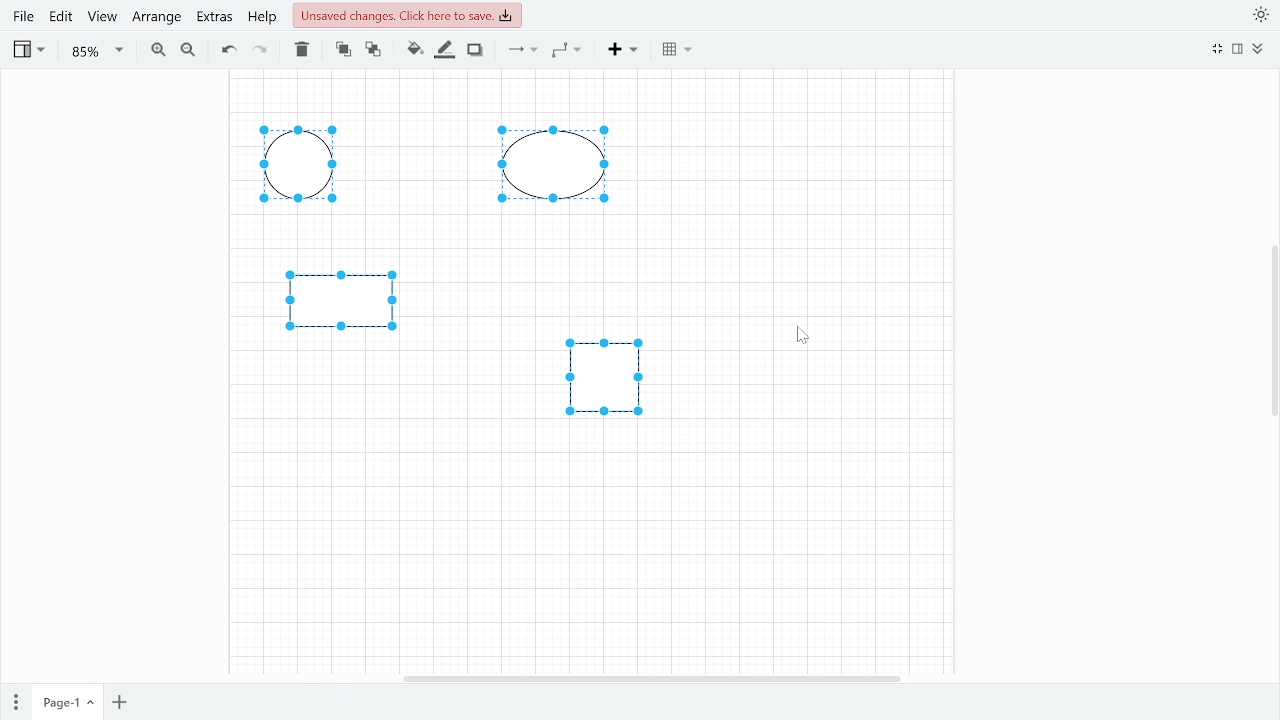 The height and width of the screenshot is (720, 1280). What do you see at coordinates (119, 700) in the screenshot?
I see `Add page` at bounding box center [119, 700].